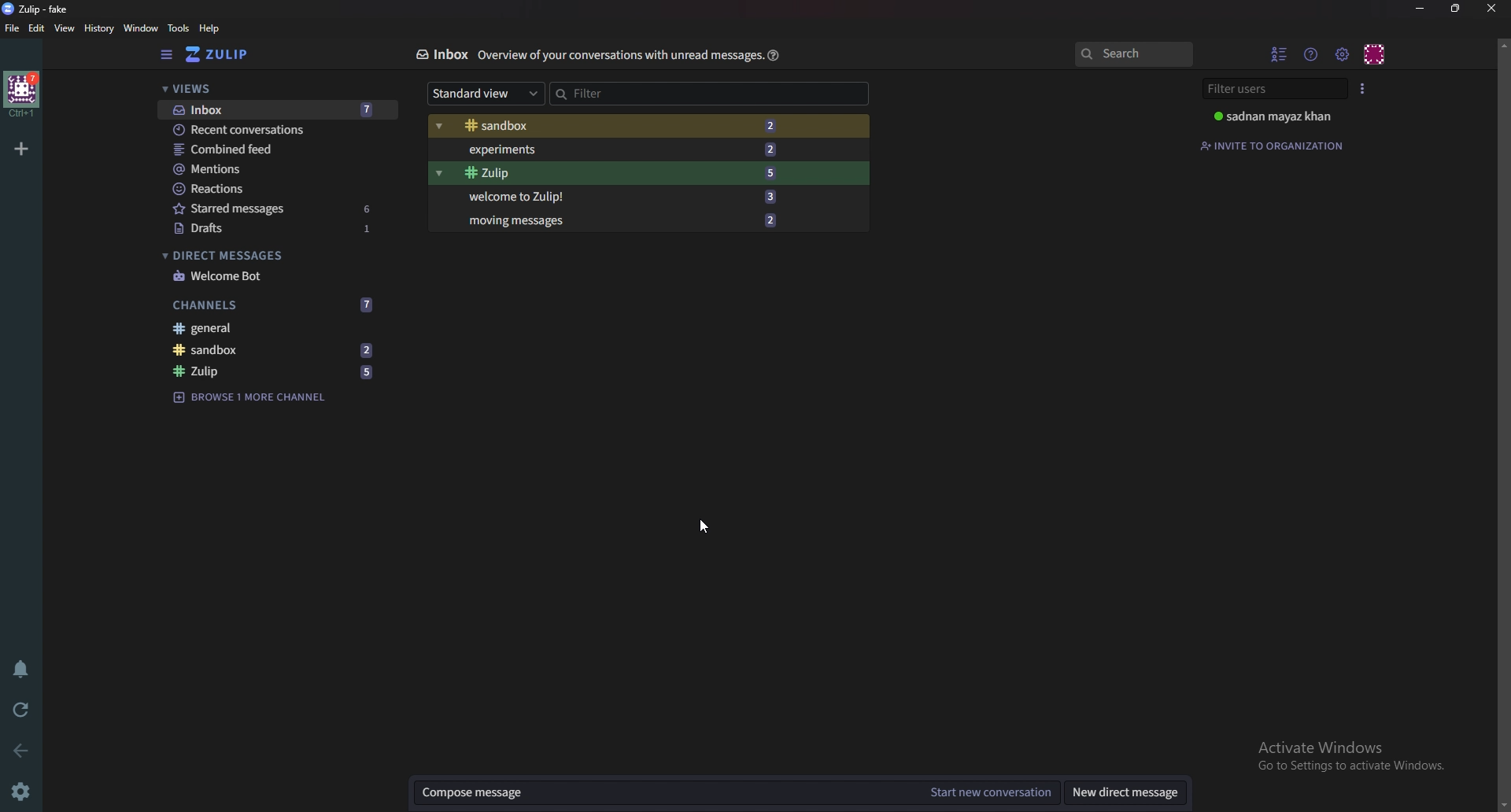  I want to click on Experiments, so click(621, 149).